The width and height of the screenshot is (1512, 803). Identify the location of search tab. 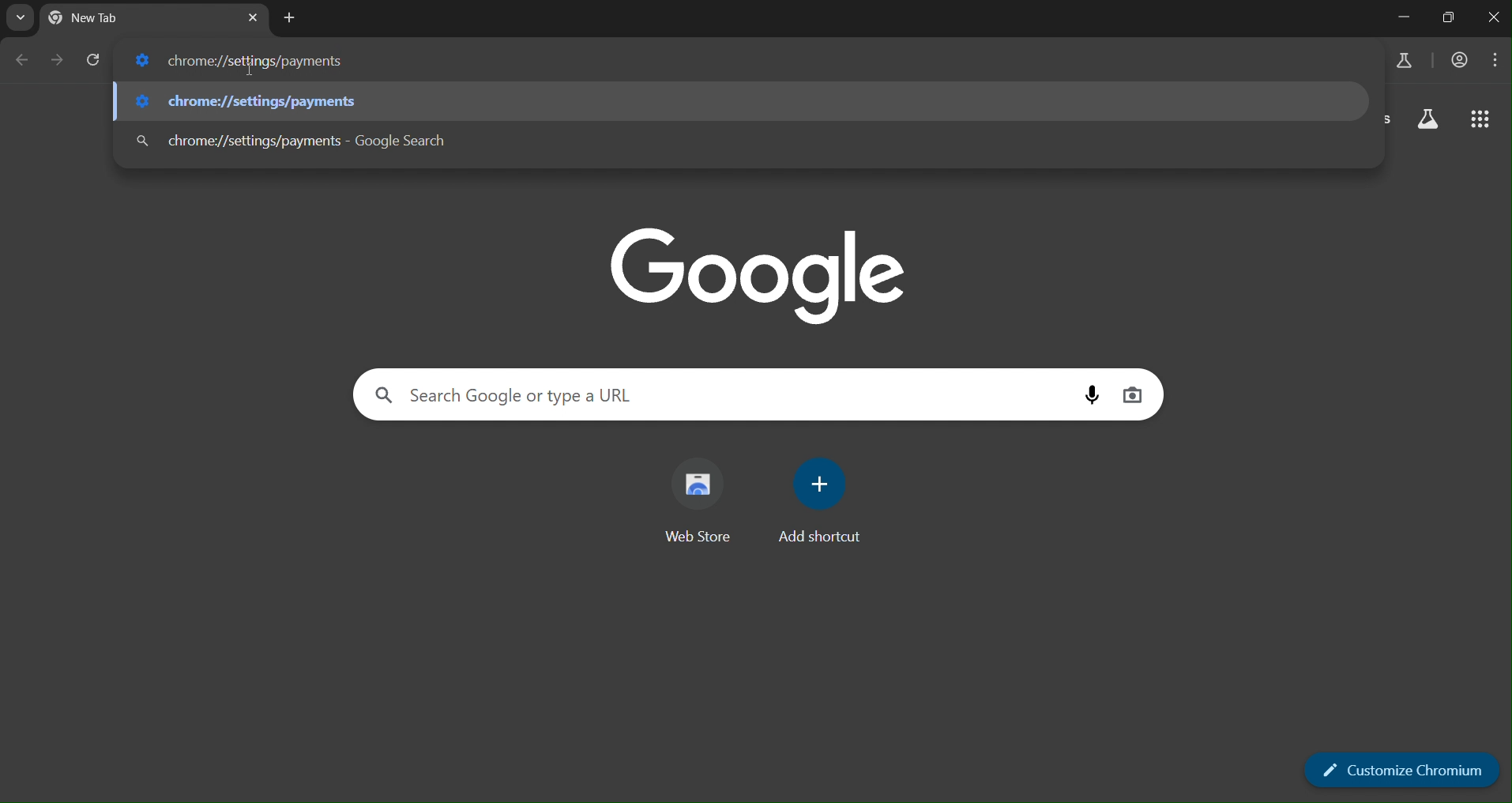
(20, 18).